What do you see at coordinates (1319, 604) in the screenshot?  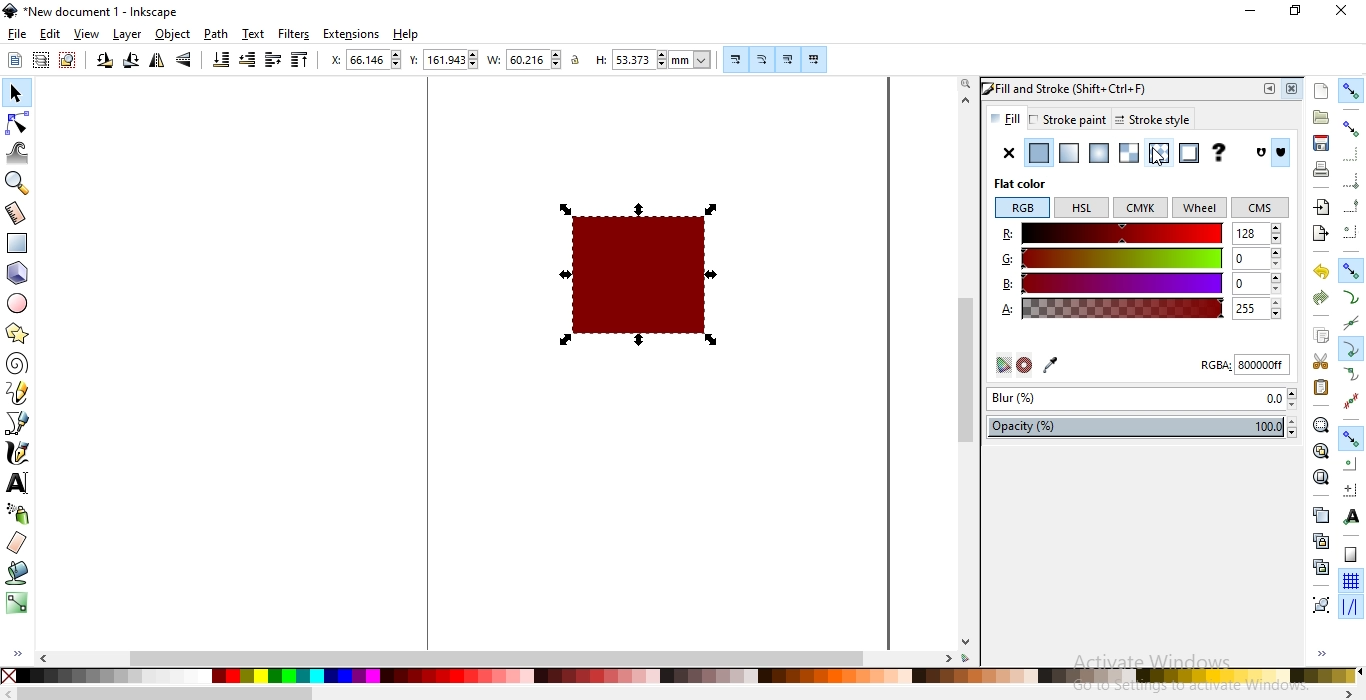 I see `group selected objects` at bounding box center [1319, 604].